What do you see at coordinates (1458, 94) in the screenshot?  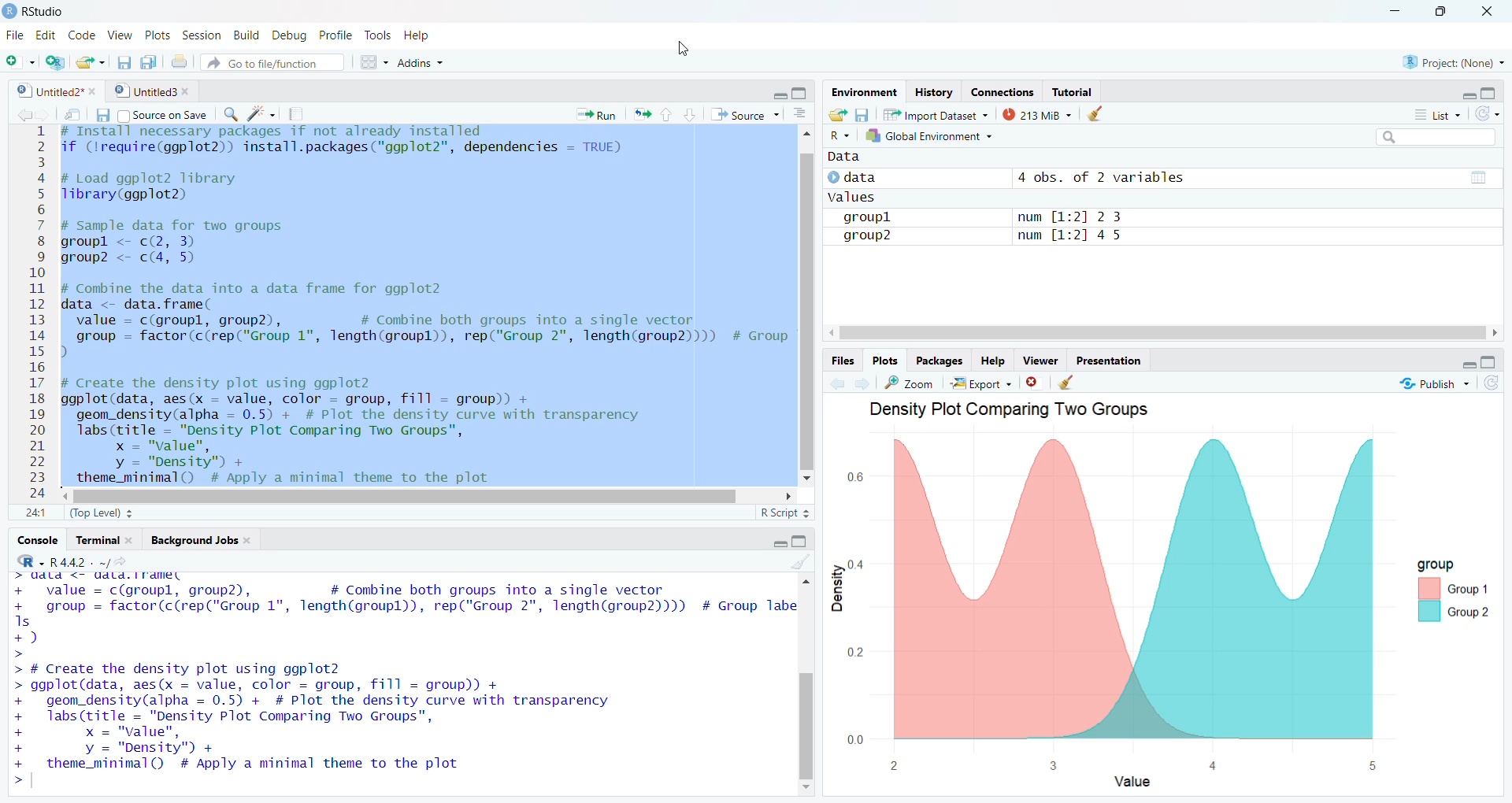 I see `minimize` at bounding box center [1458, 94].